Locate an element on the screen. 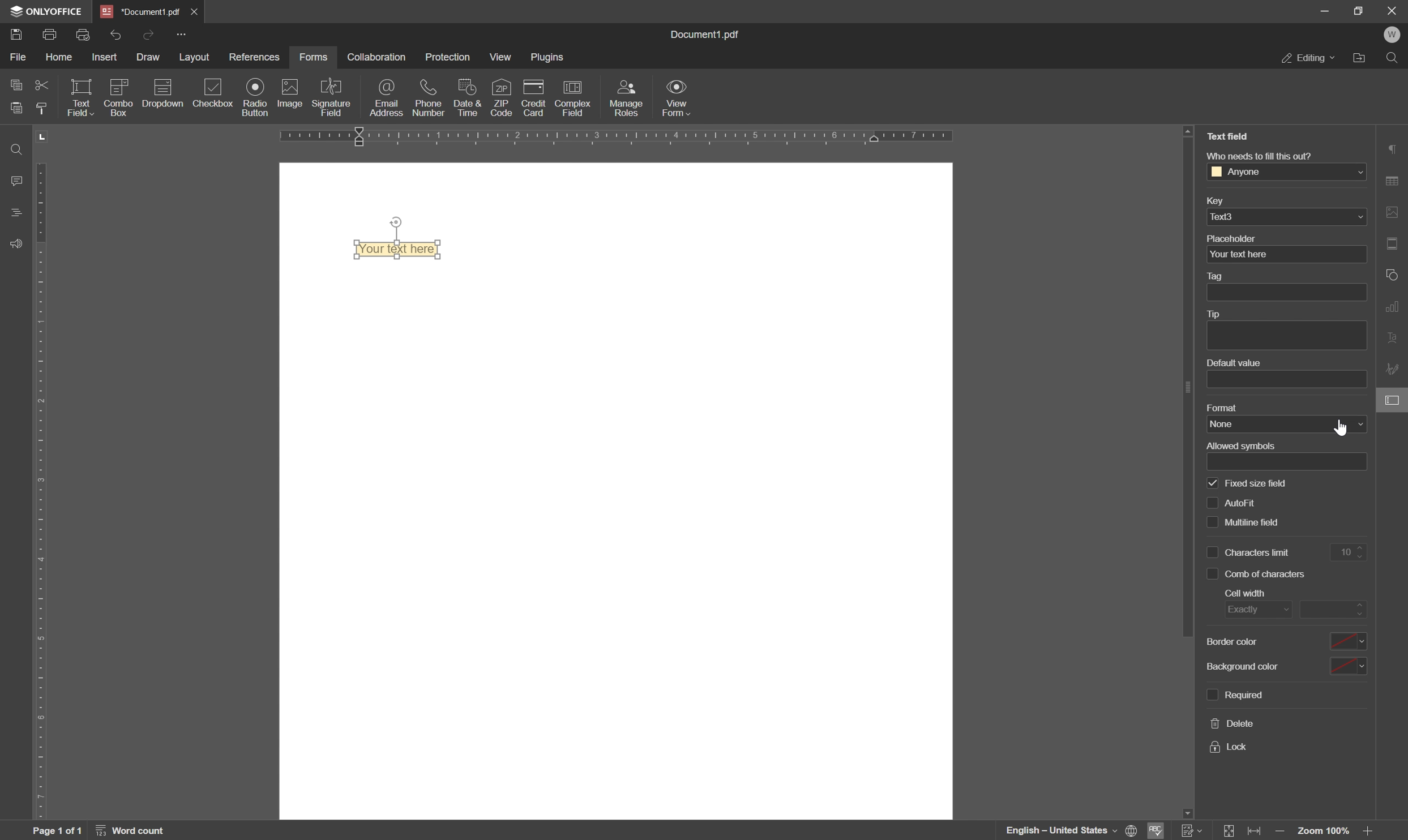 The height and width of the screenshot is (840, 1408). select background color is located at coordinates (1348, 667).